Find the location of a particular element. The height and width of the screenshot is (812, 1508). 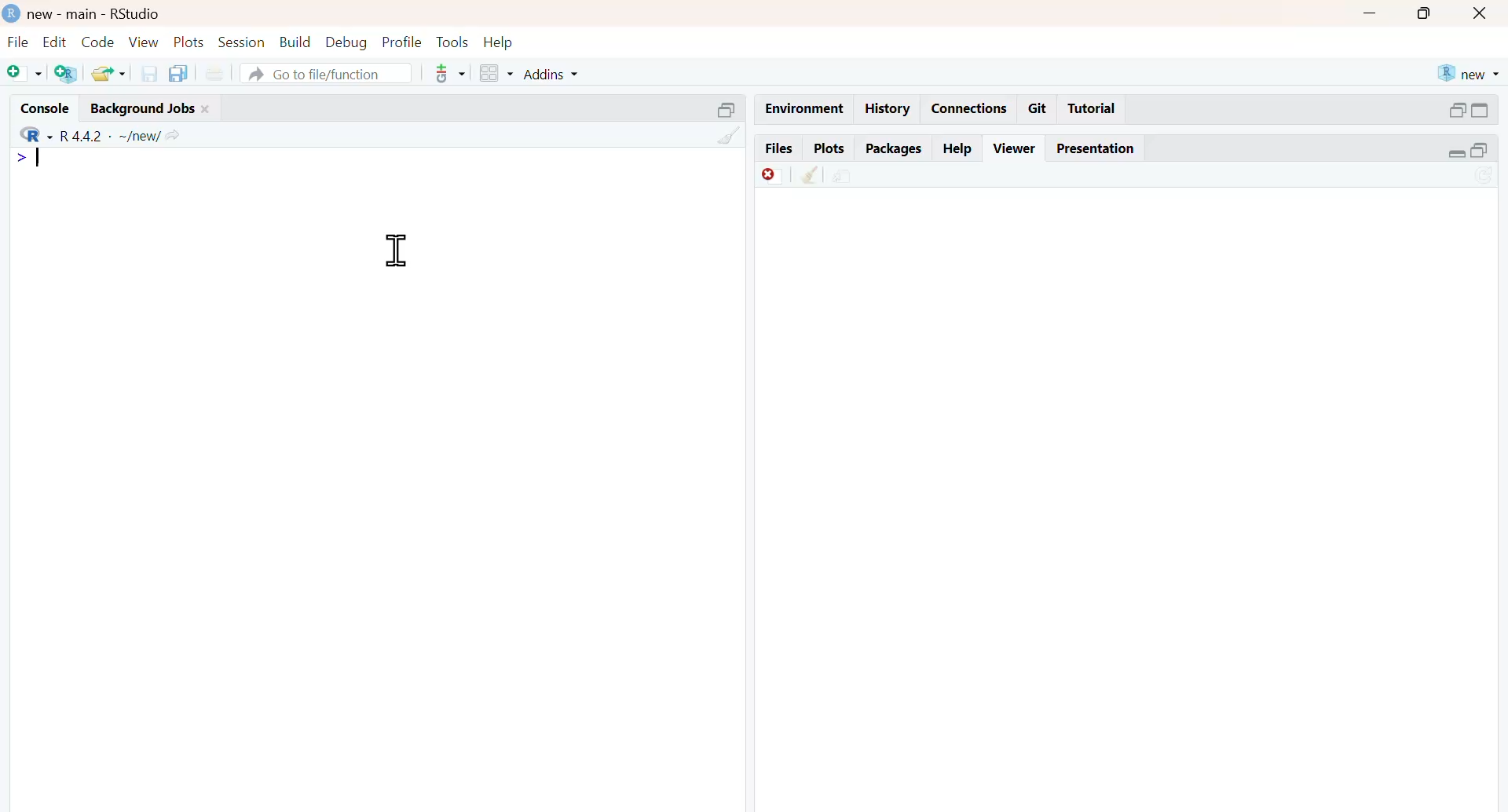

maximise is located at coordinates (1426, 12).